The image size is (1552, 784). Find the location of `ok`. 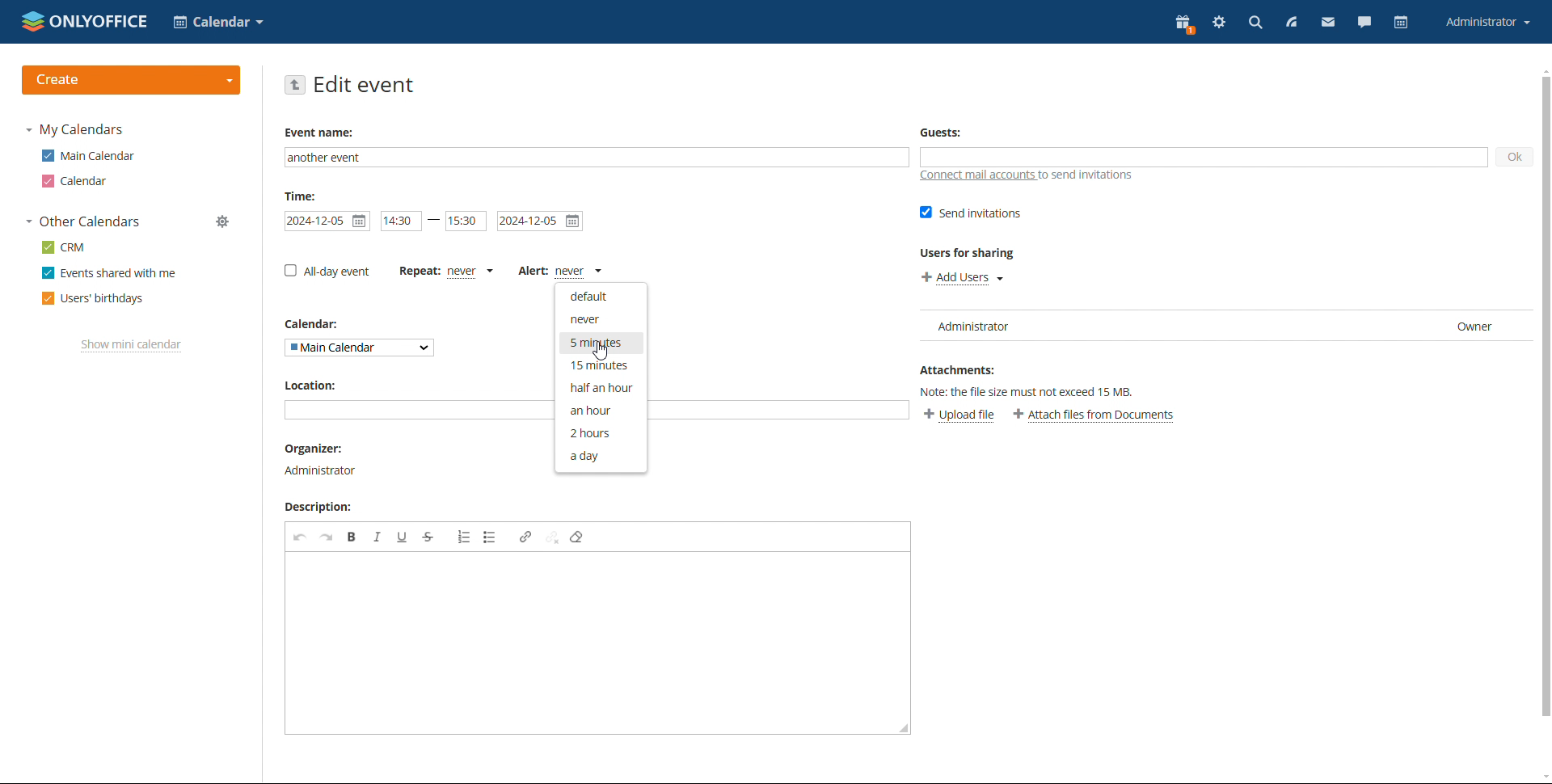

ok is located at coordinates (1514, 158).